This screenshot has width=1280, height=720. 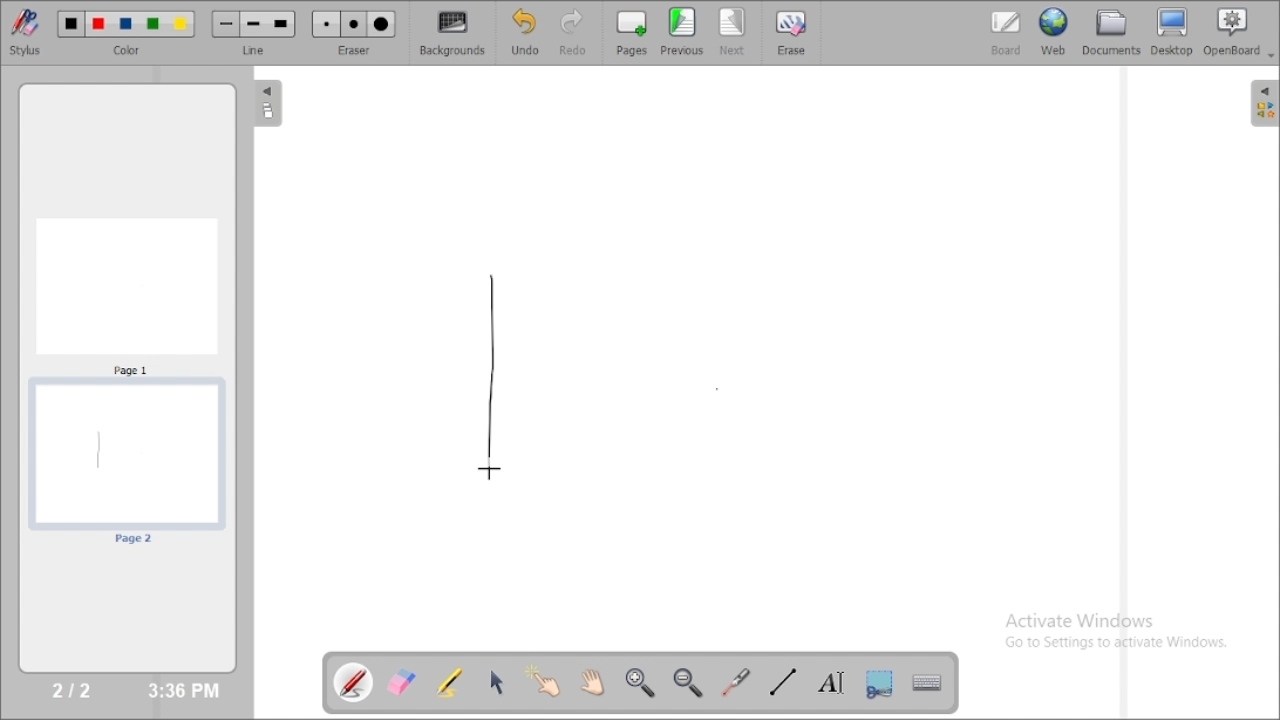 What do you see at coordinates (524, 32) in the screenshot?
I see `undo` at bounding box center [524, 32].